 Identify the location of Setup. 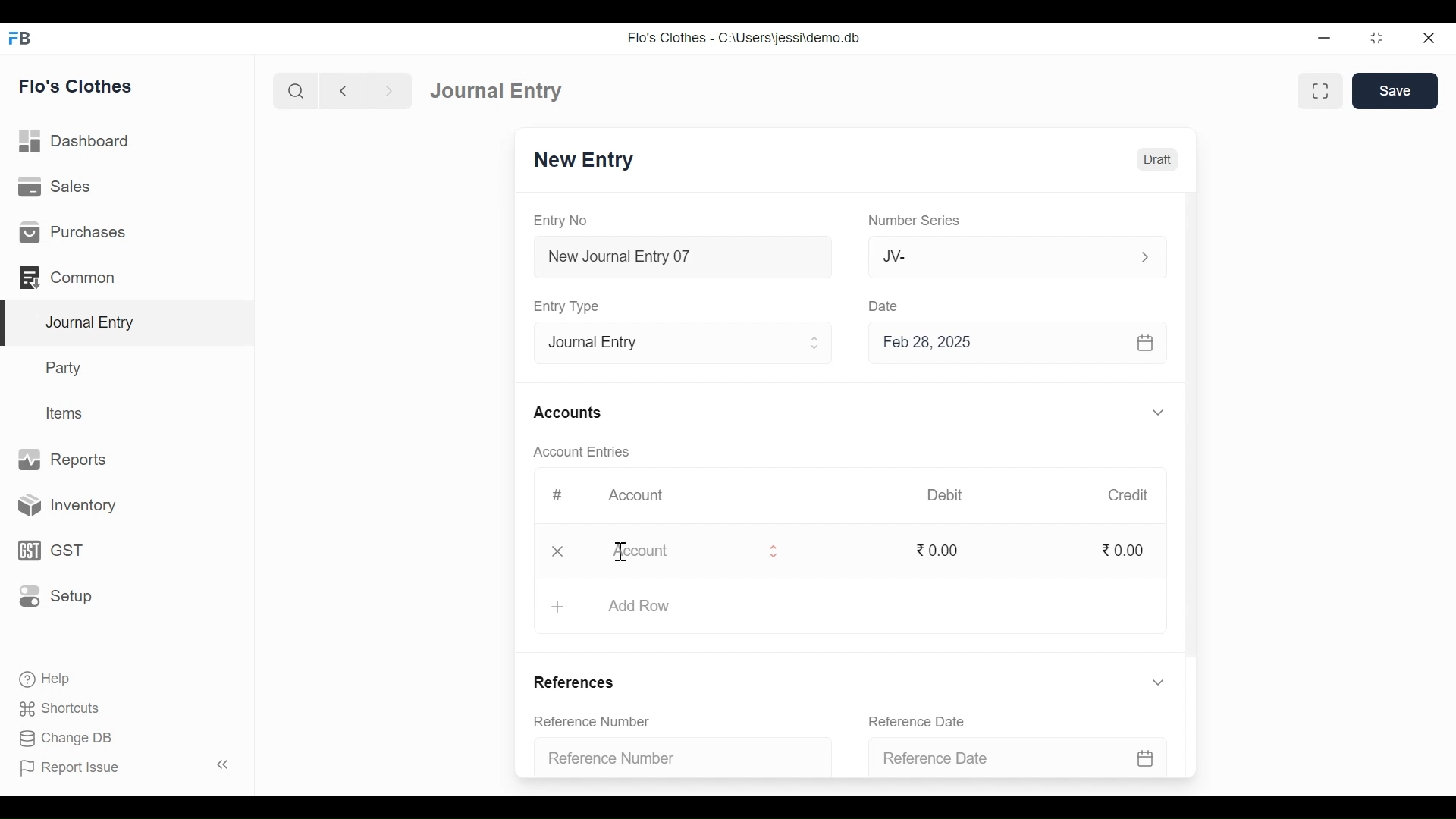
(55, 595).